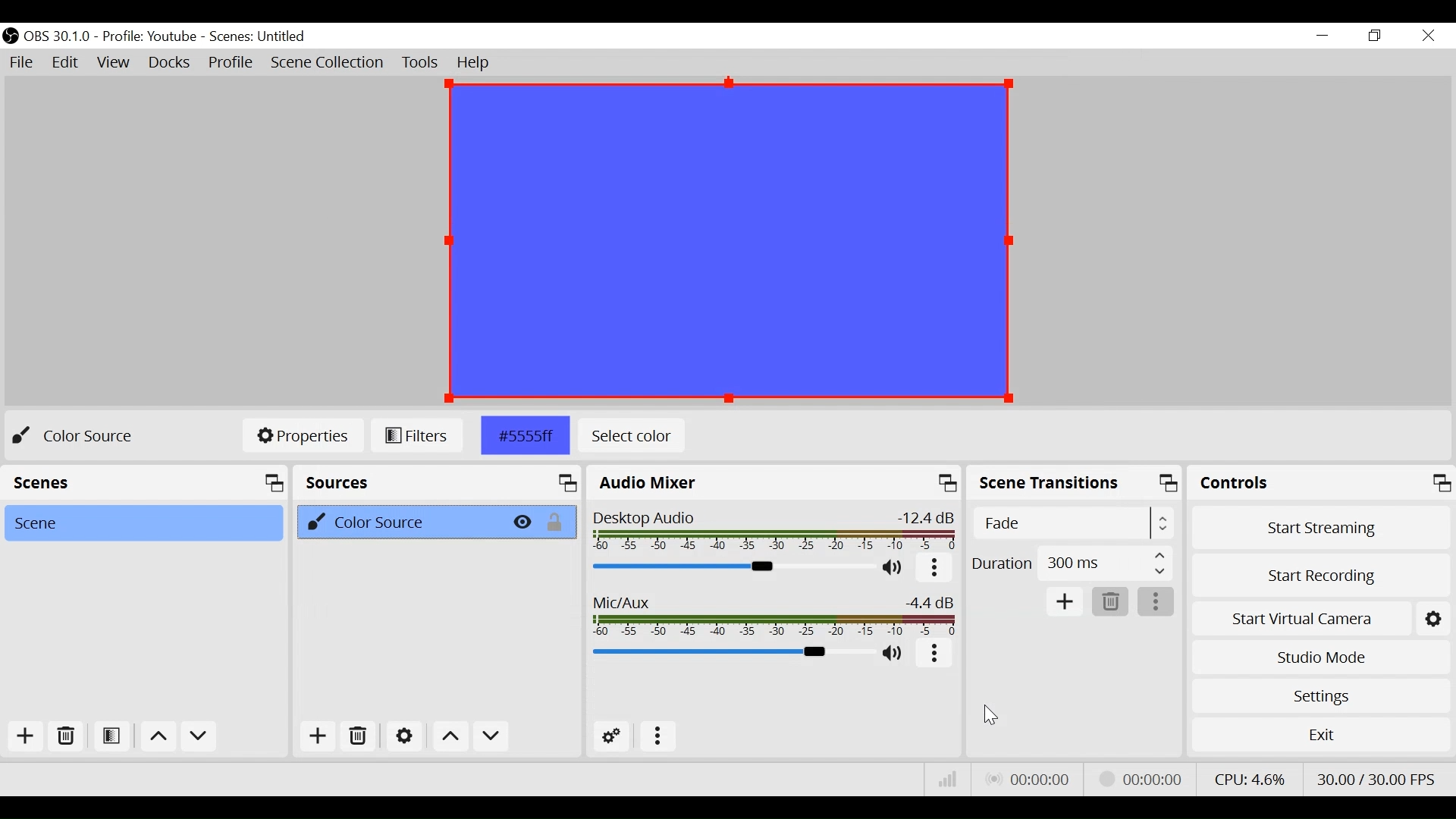 This screenshot has height=819, width=1456. Describe the element at coordinates (1250, 779) in the screenshot. I see `CPU Usage` at that location.